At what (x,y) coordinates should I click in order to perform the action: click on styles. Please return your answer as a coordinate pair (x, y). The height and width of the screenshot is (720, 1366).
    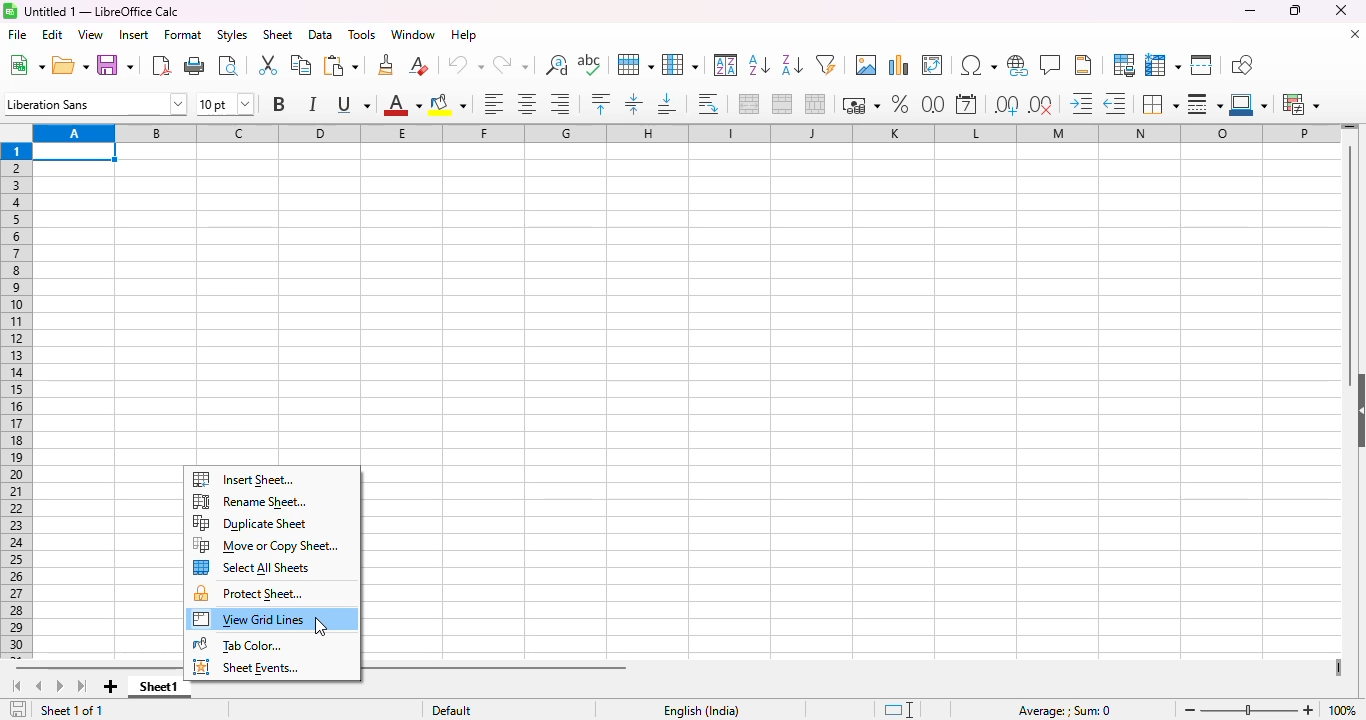
    Looking at the image, I should click on (231, 34).